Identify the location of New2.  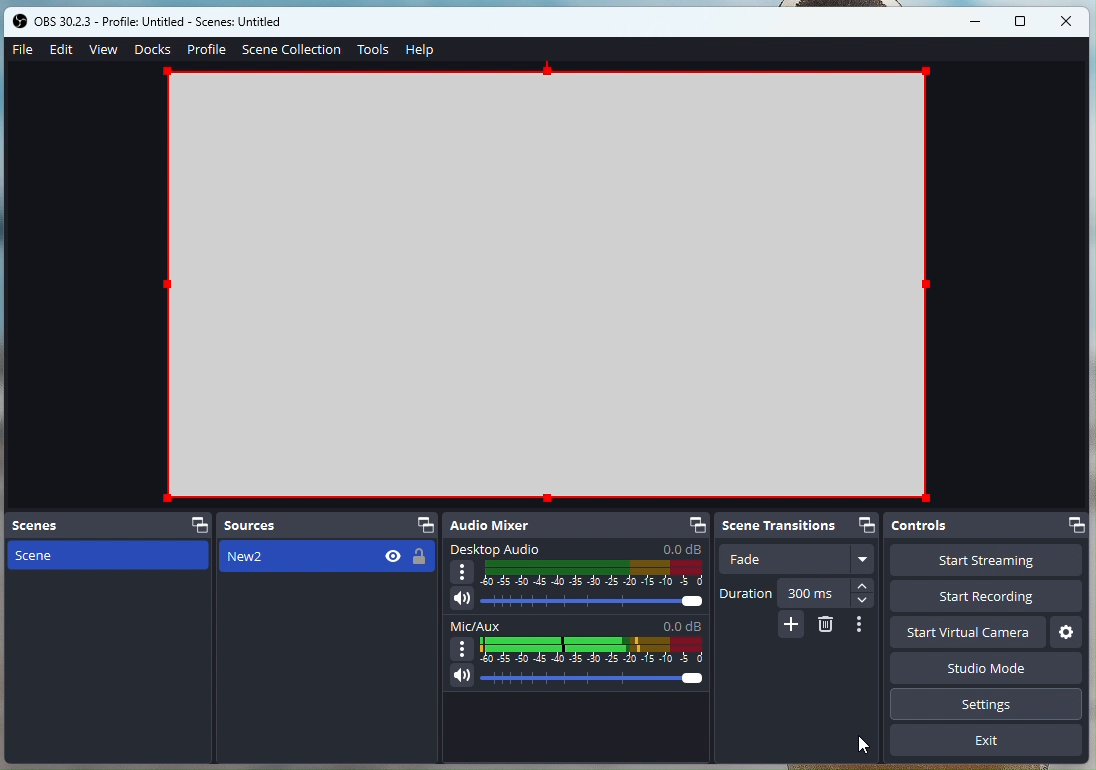
(327, 555).